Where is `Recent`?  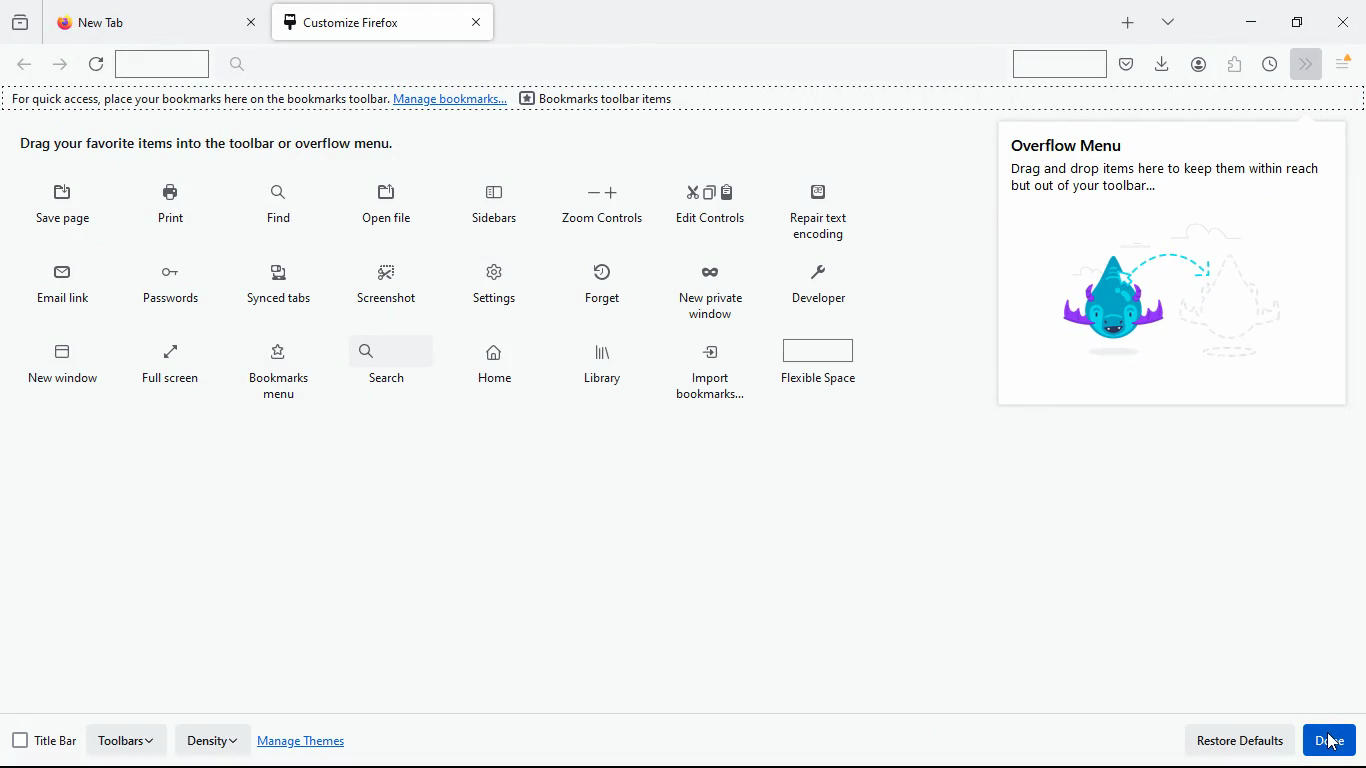 Recent is located at coordinates (1269, 63).